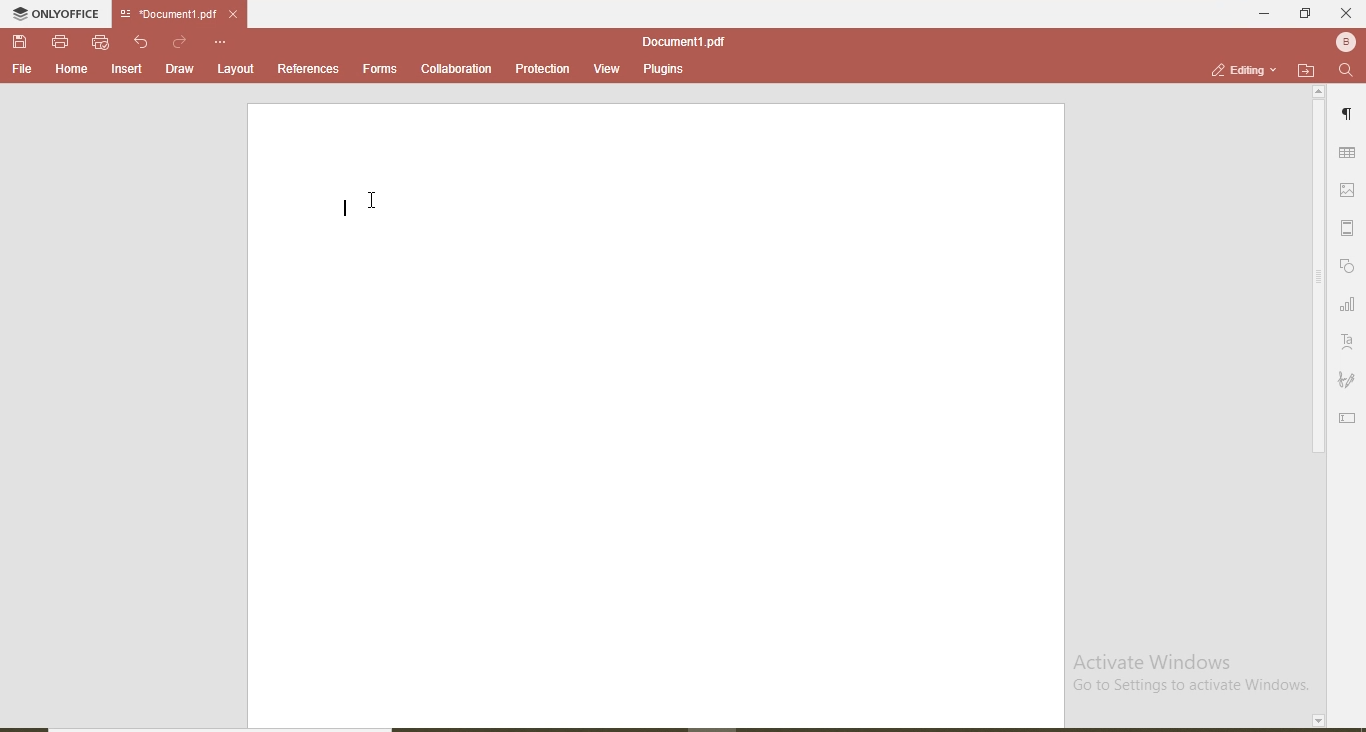 Image resolution: width=1366 pixels, height=732 pixels. Describe the element at coordinates (1348, 154) in the screenshot. I see `table` at that location.